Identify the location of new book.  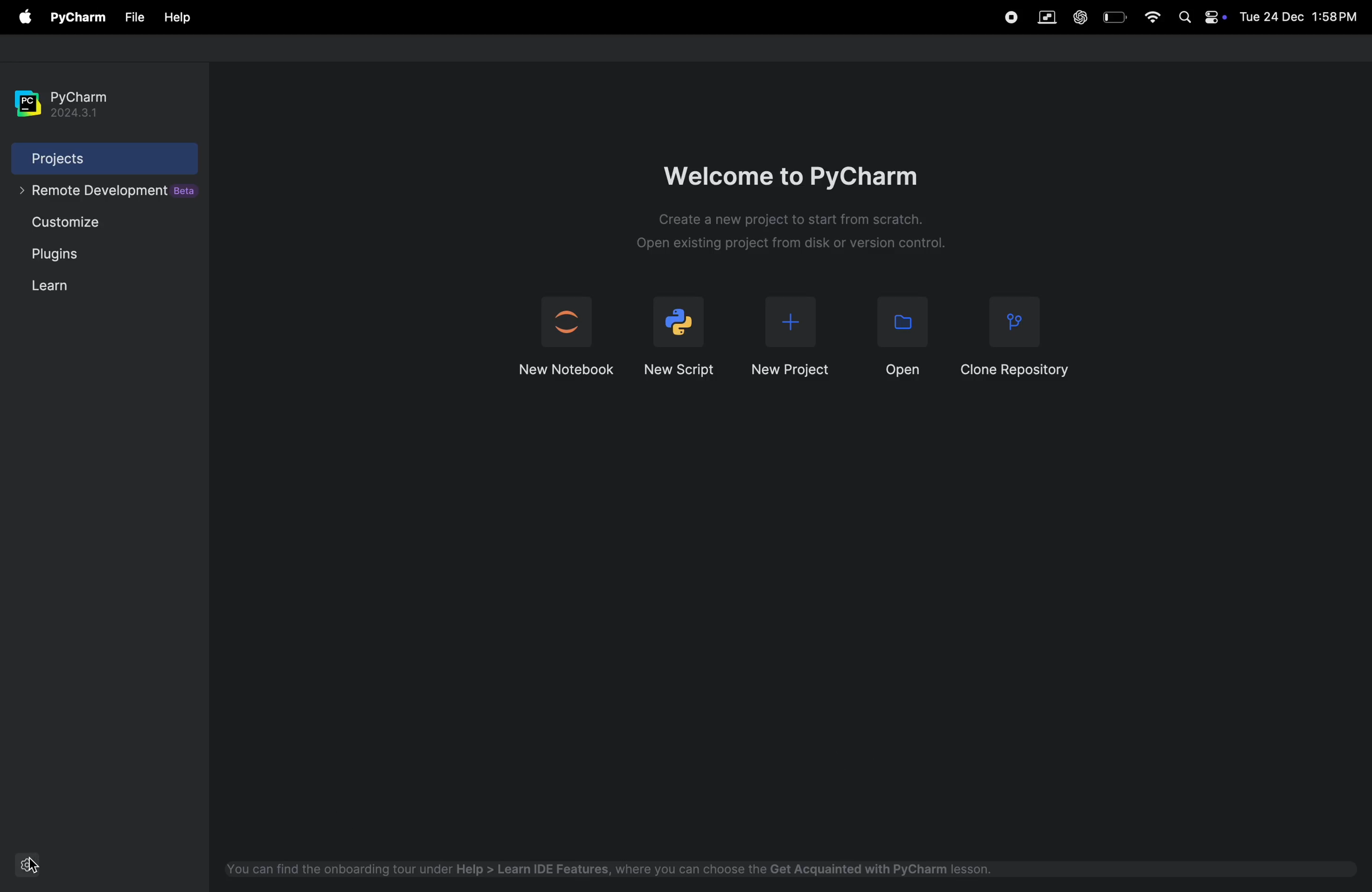
(564, 338).